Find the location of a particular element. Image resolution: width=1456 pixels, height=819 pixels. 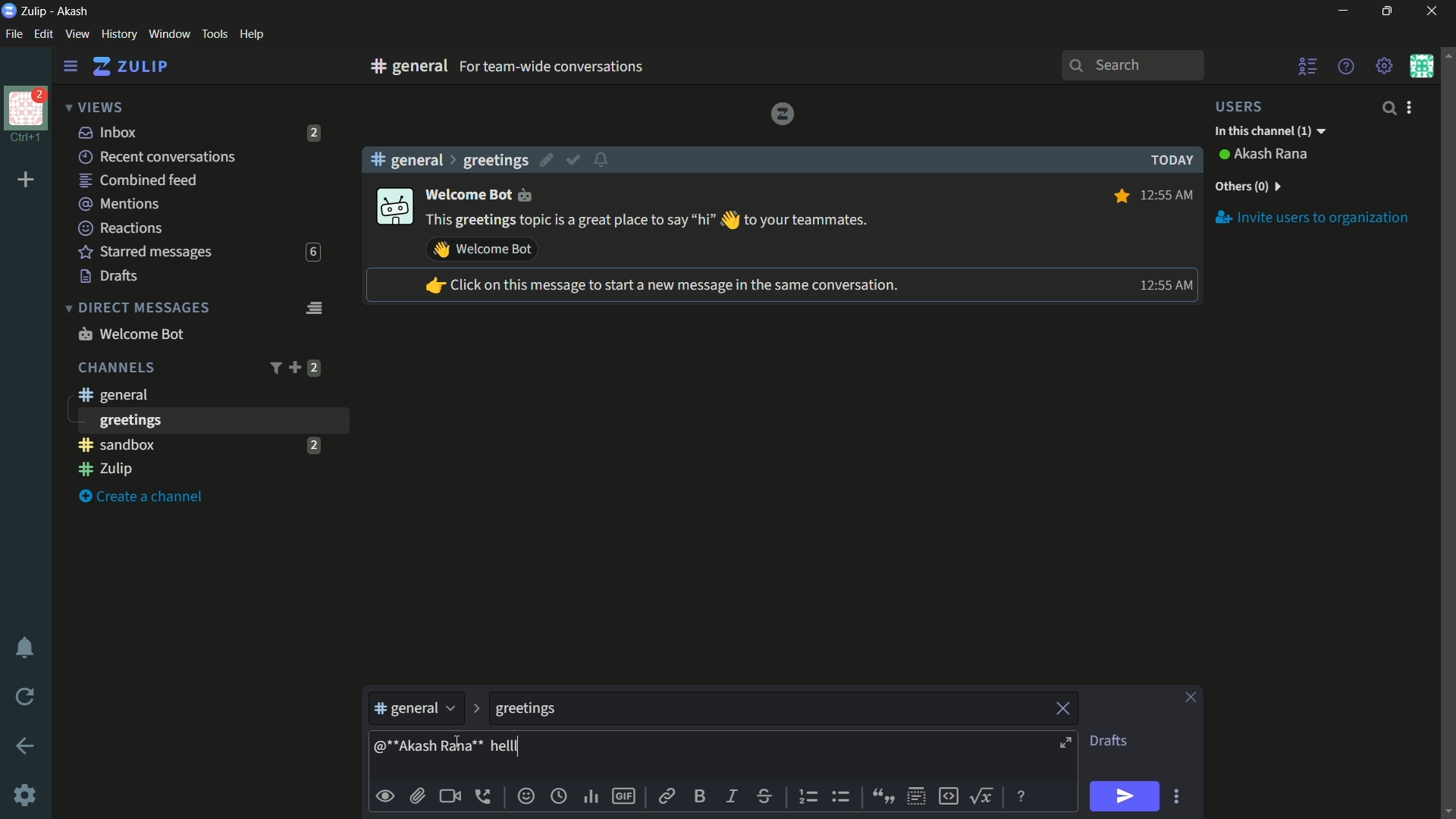

reload is located at coordinates (26, 696).